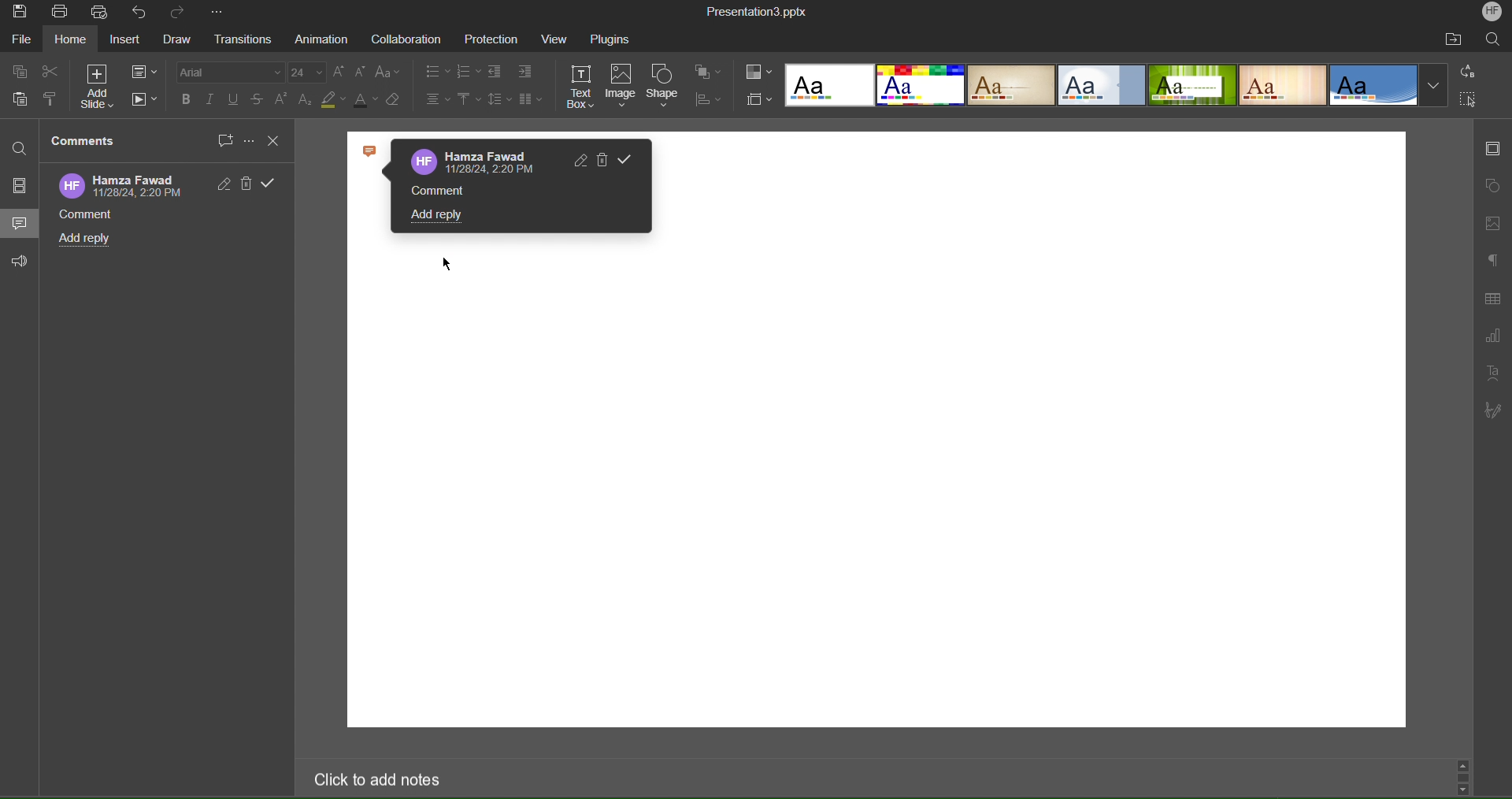 This screenshot has width=1512, height=799. I want to click on Animation, so click(324, 41).